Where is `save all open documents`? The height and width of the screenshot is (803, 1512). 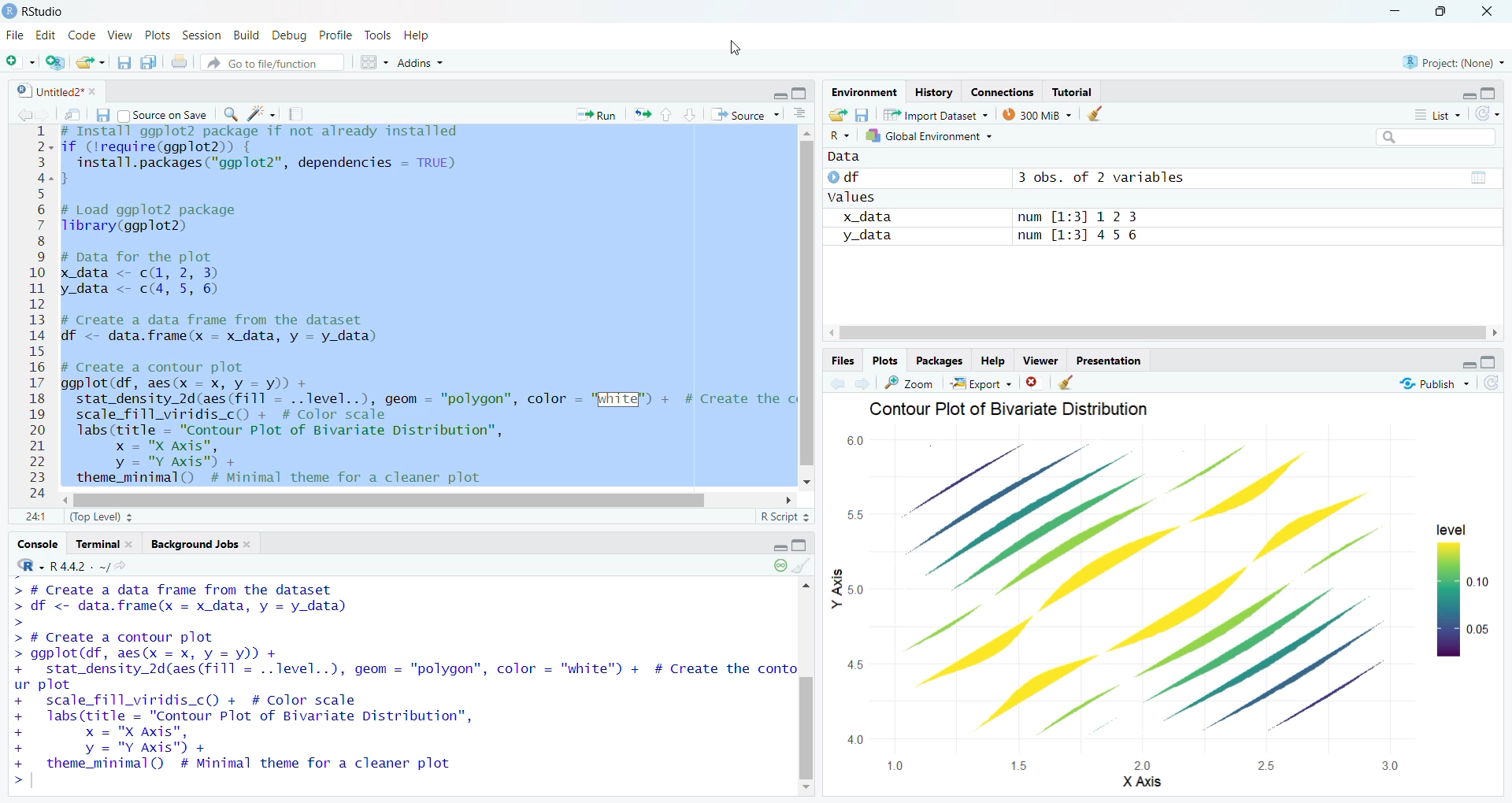
save all open documents is located at coordinates (149, 62).